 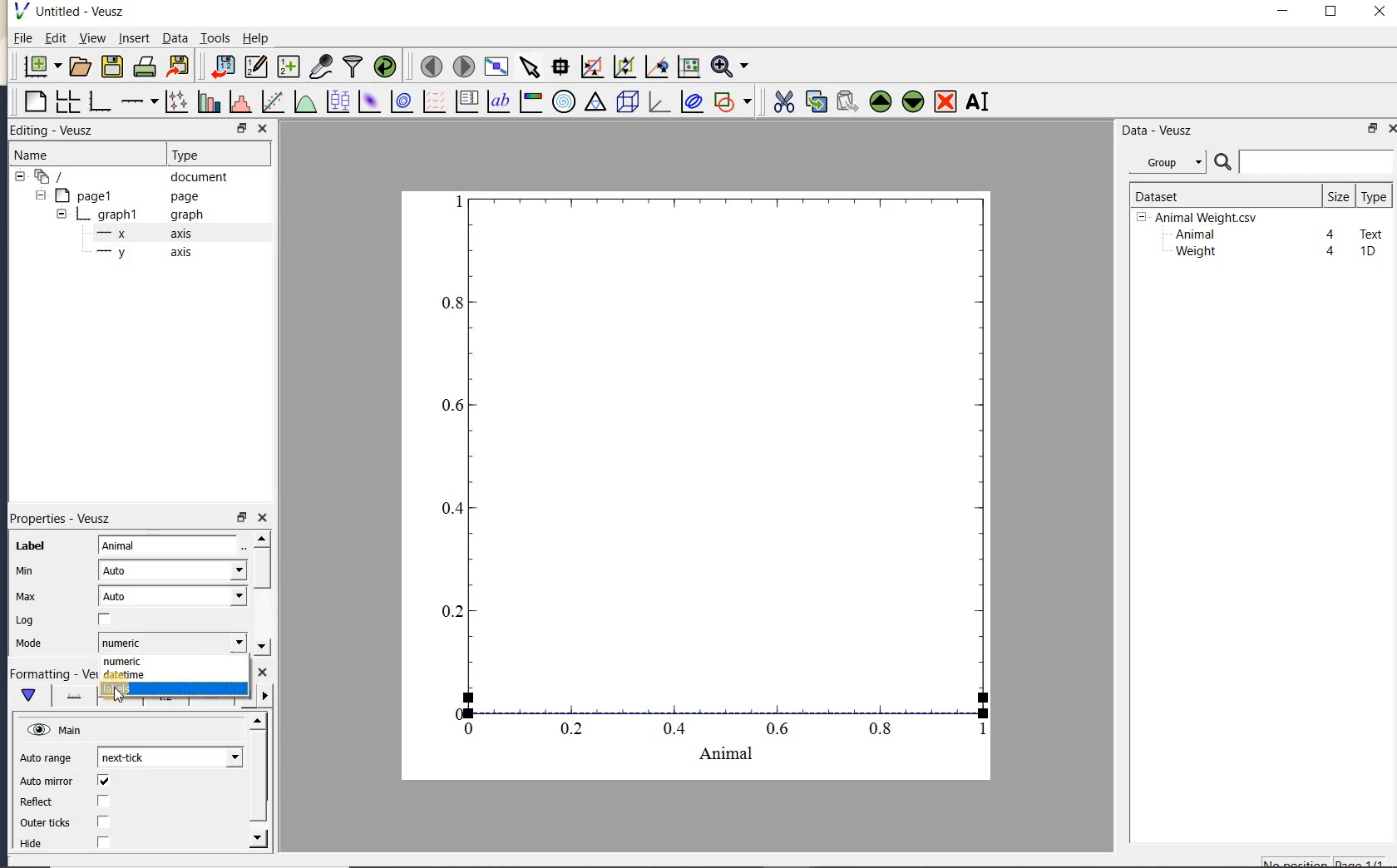 I want to click on arrange graphs in a grid, so click(x=67, y=101).